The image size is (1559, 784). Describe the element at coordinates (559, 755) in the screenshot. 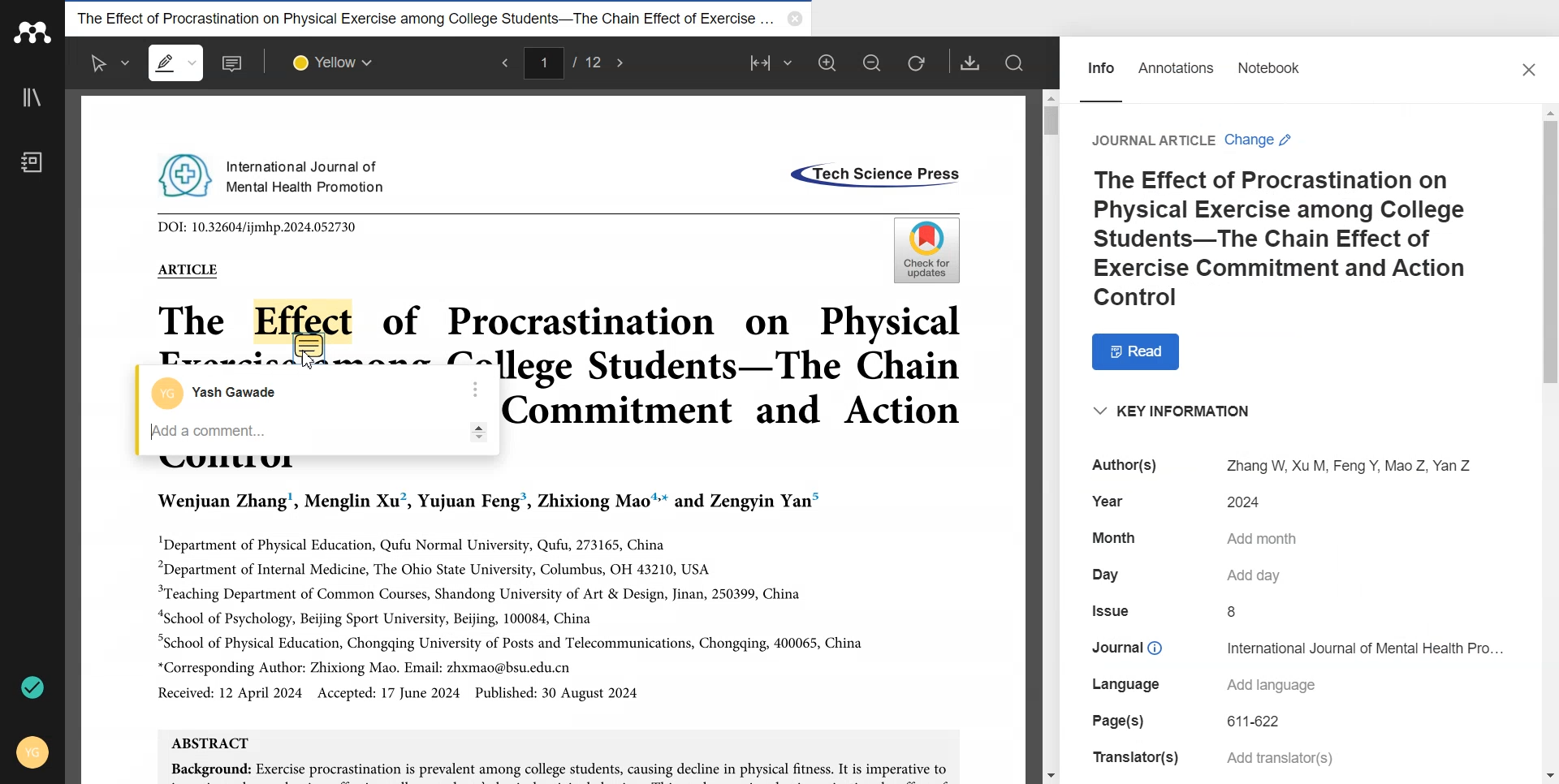

I see `ABSTRACT
Background: Exercise procrastination is prevalent among college students, causing decline in physical fitness. It is imperative to` at that location.